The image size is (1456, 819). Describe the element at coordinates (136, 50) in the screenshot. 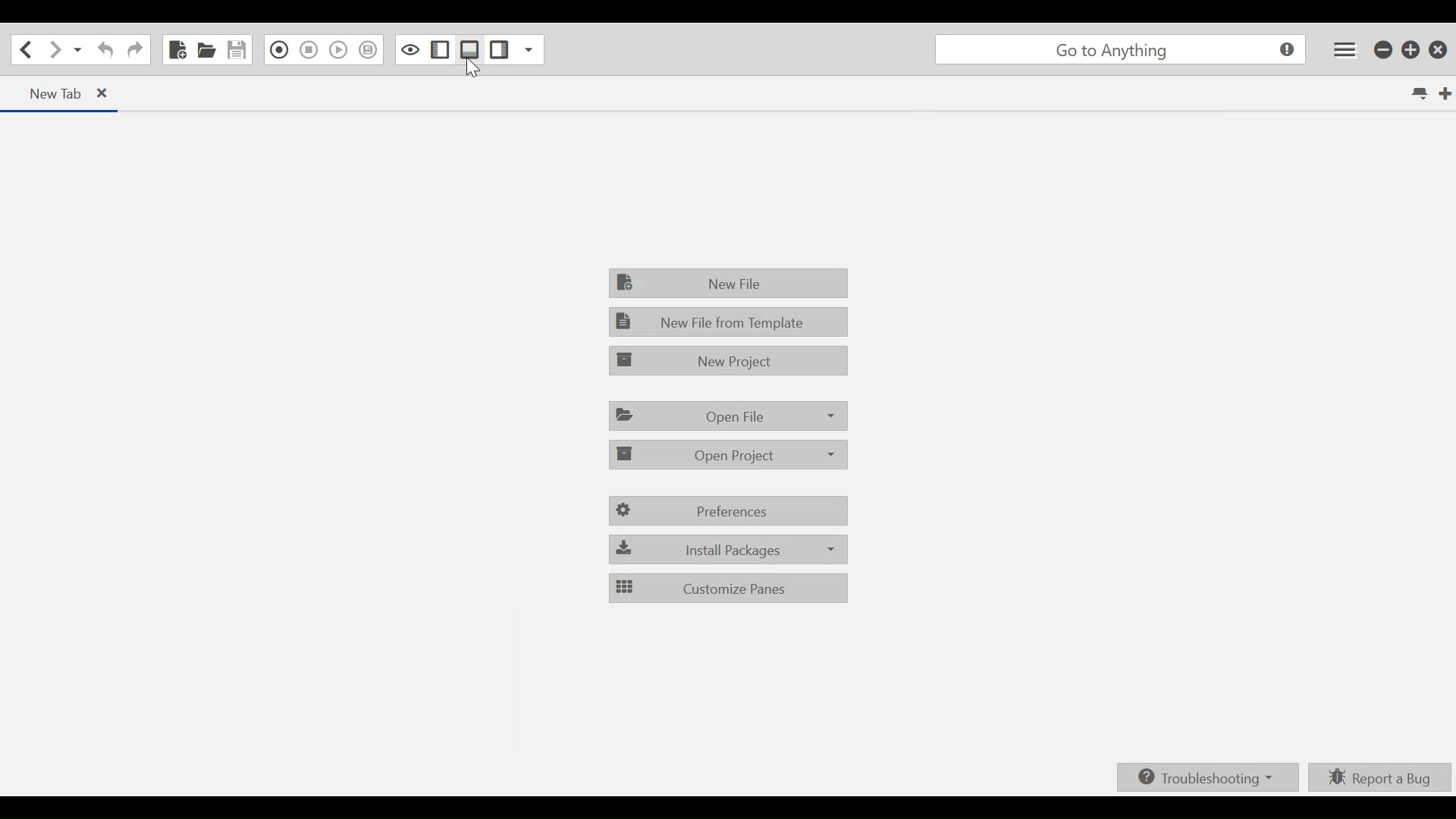

I see `Redo last Action` at that location.